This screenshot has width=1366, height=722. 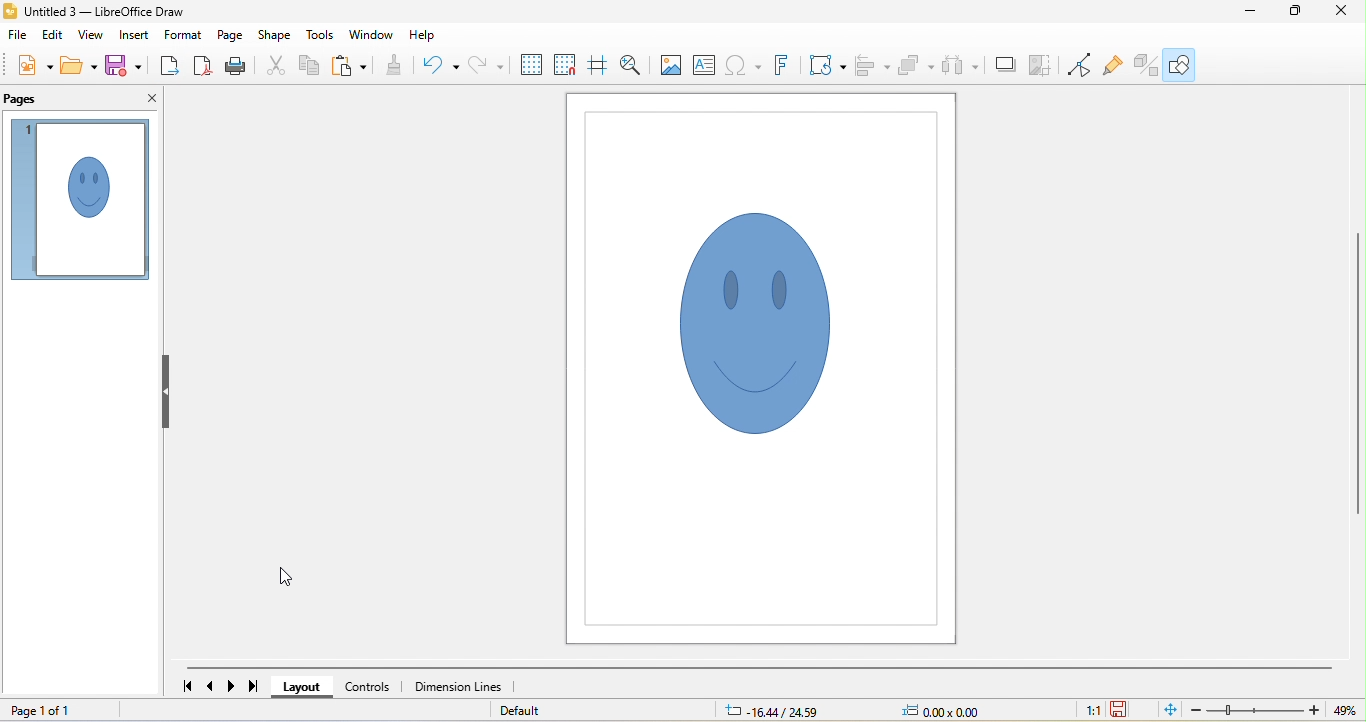 I want to click on snap to grid, so click(x=563, y=64).